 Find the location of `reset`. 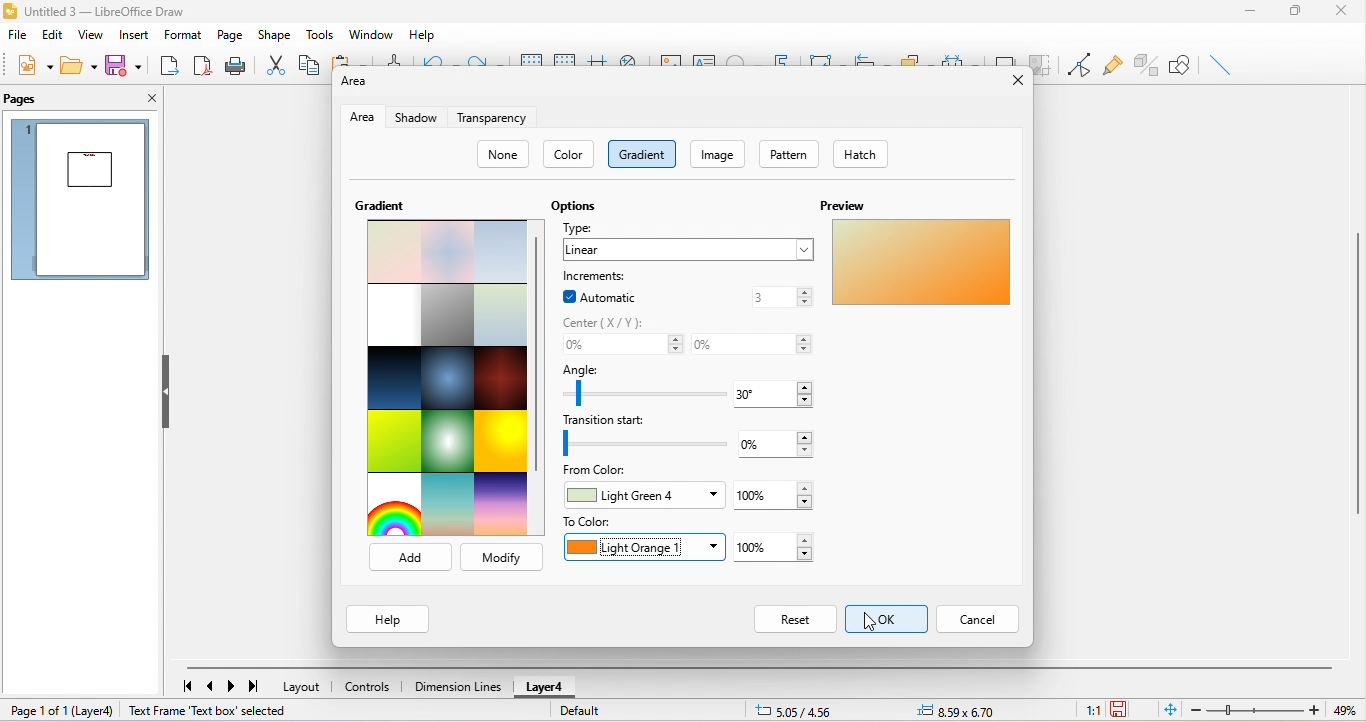

reset is located at coordinates (794, 618).